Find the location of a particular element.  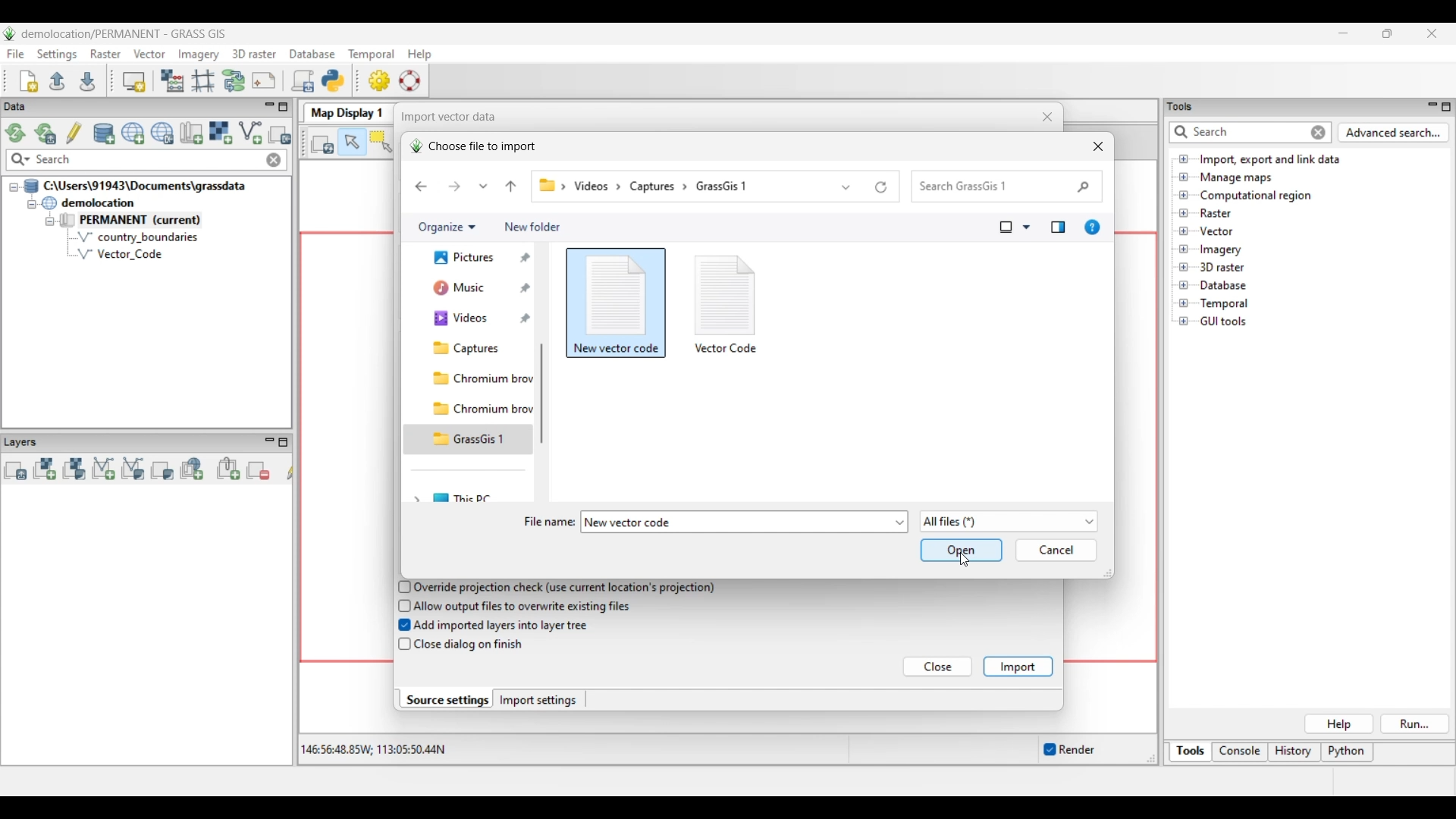

music is located at coordinates (469, 322).